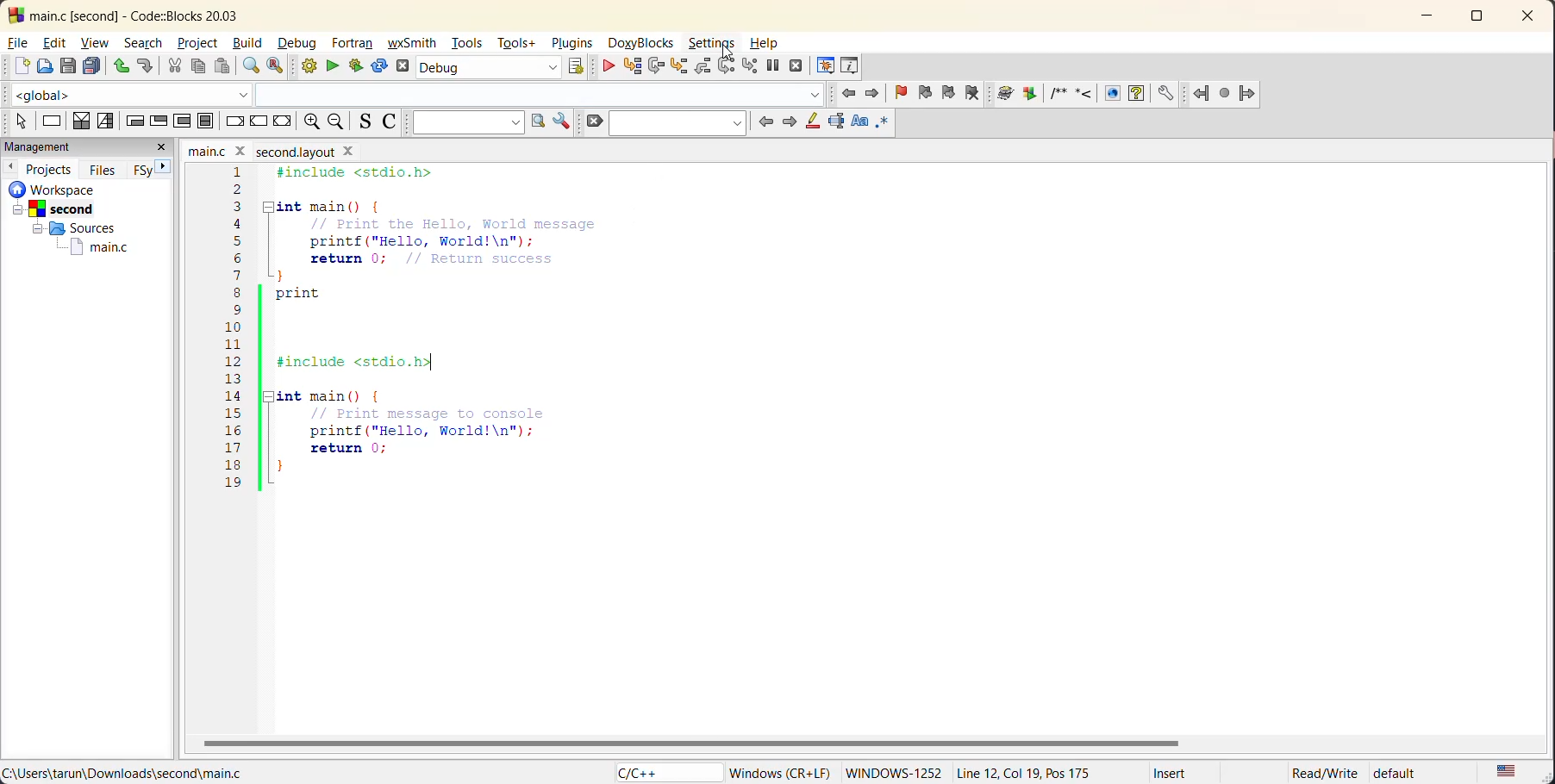  I want to click on break instruction, so click(236, 121).